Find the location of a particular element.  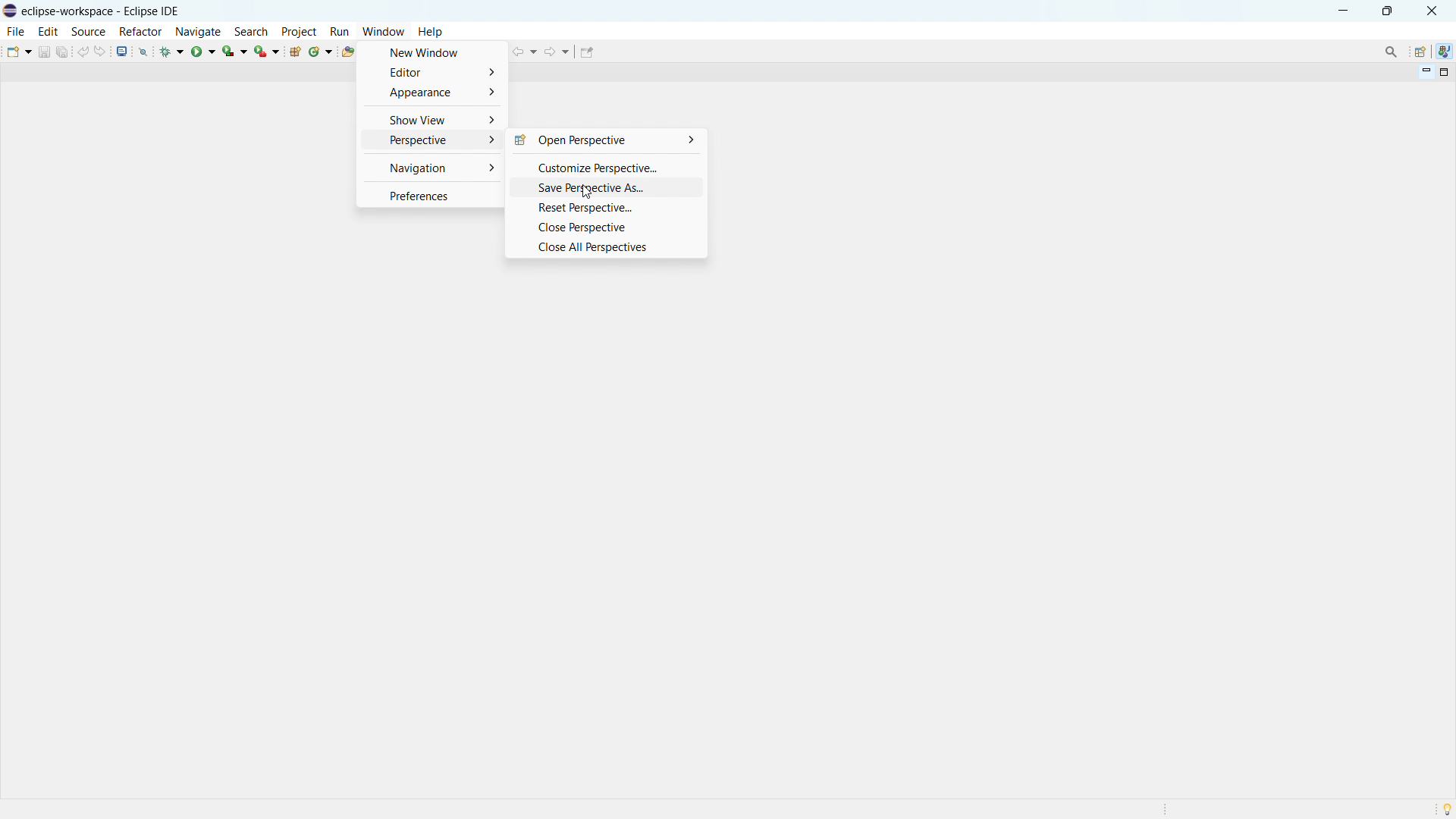

coverage is located at coordinates (235, 50).